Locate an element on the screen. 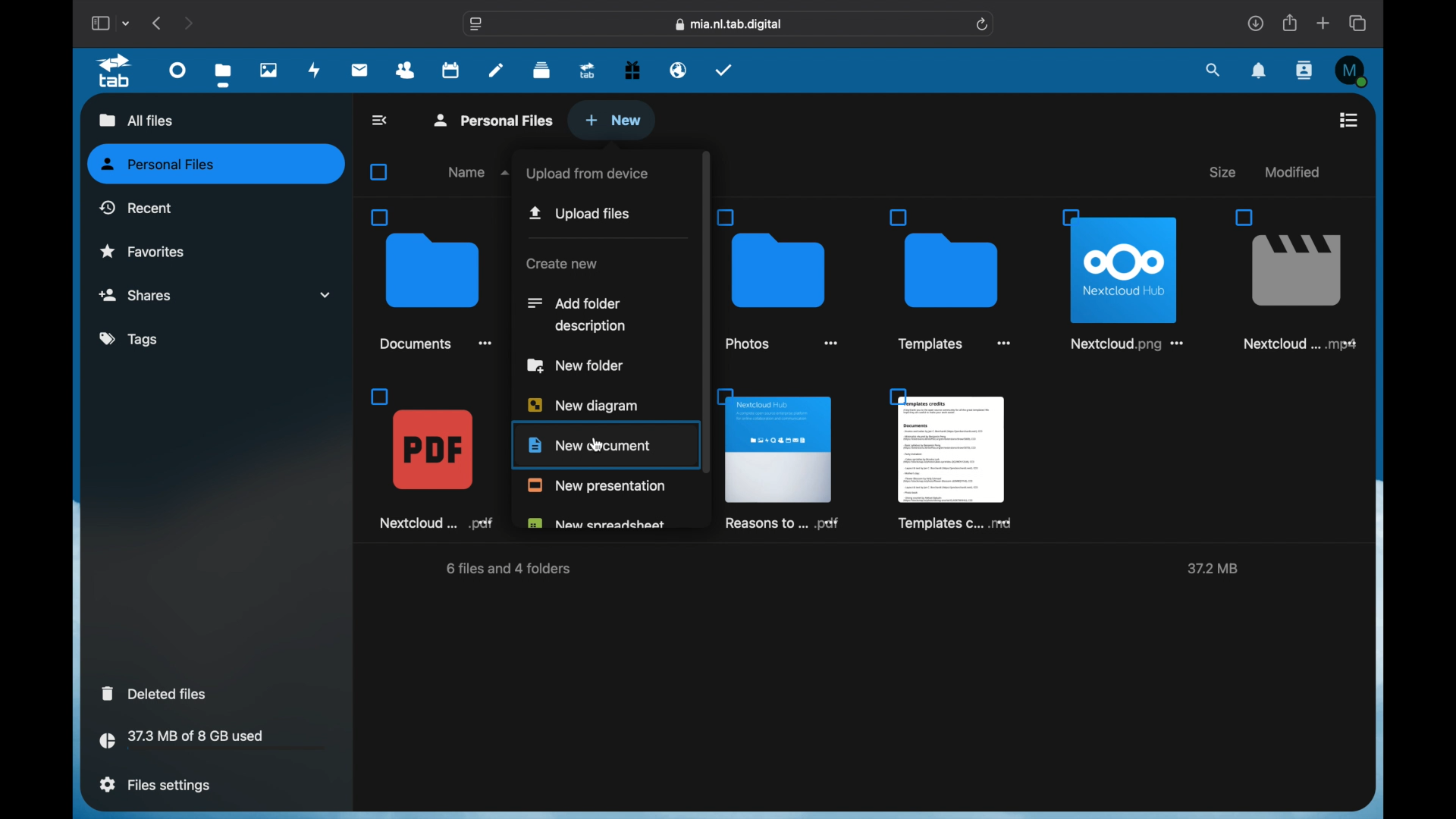 The height and width of the screenshot is (819, 1456). new presentation is located at coordinates (595, 485).